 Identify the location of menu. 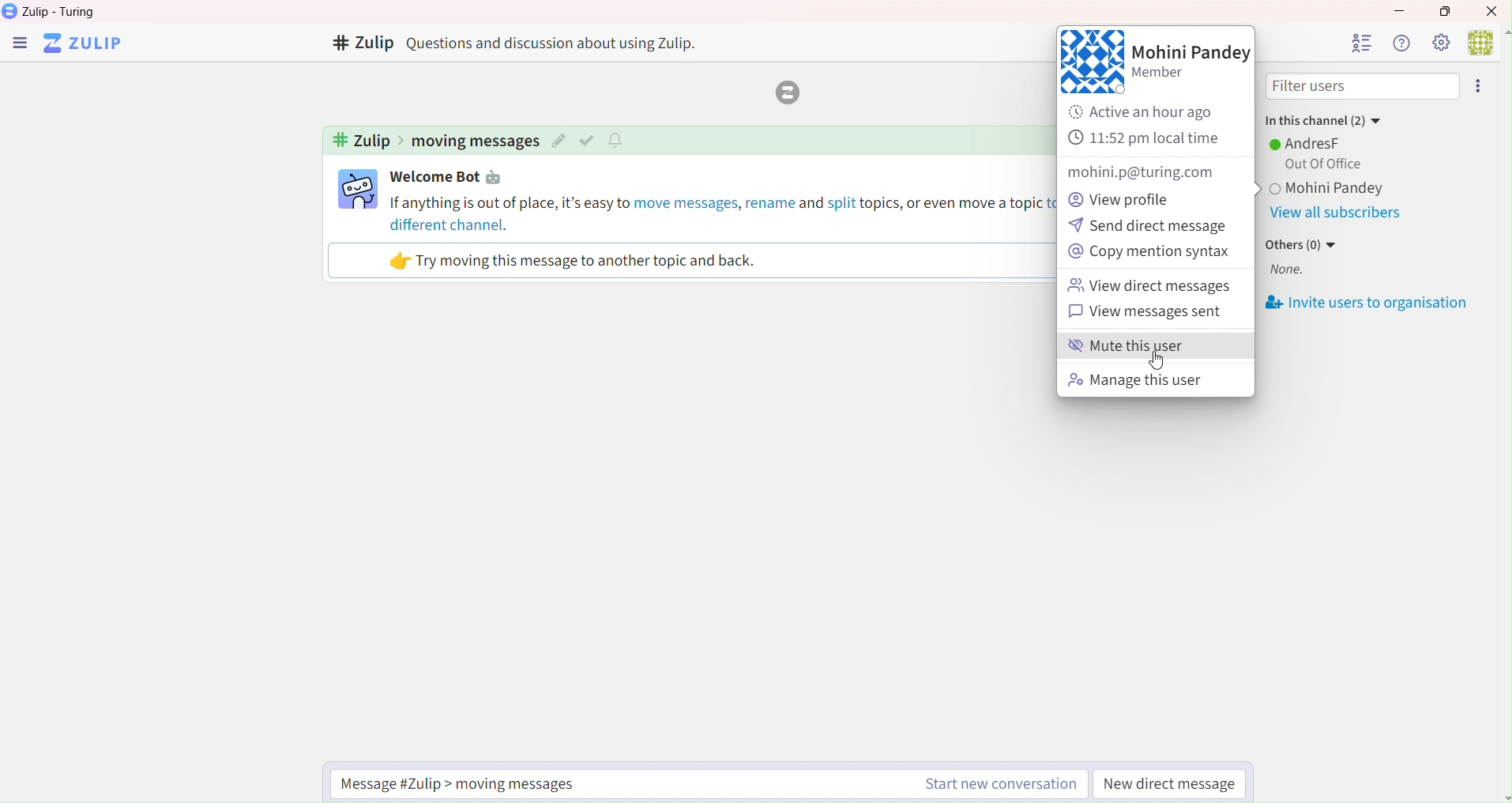
(19, 45).